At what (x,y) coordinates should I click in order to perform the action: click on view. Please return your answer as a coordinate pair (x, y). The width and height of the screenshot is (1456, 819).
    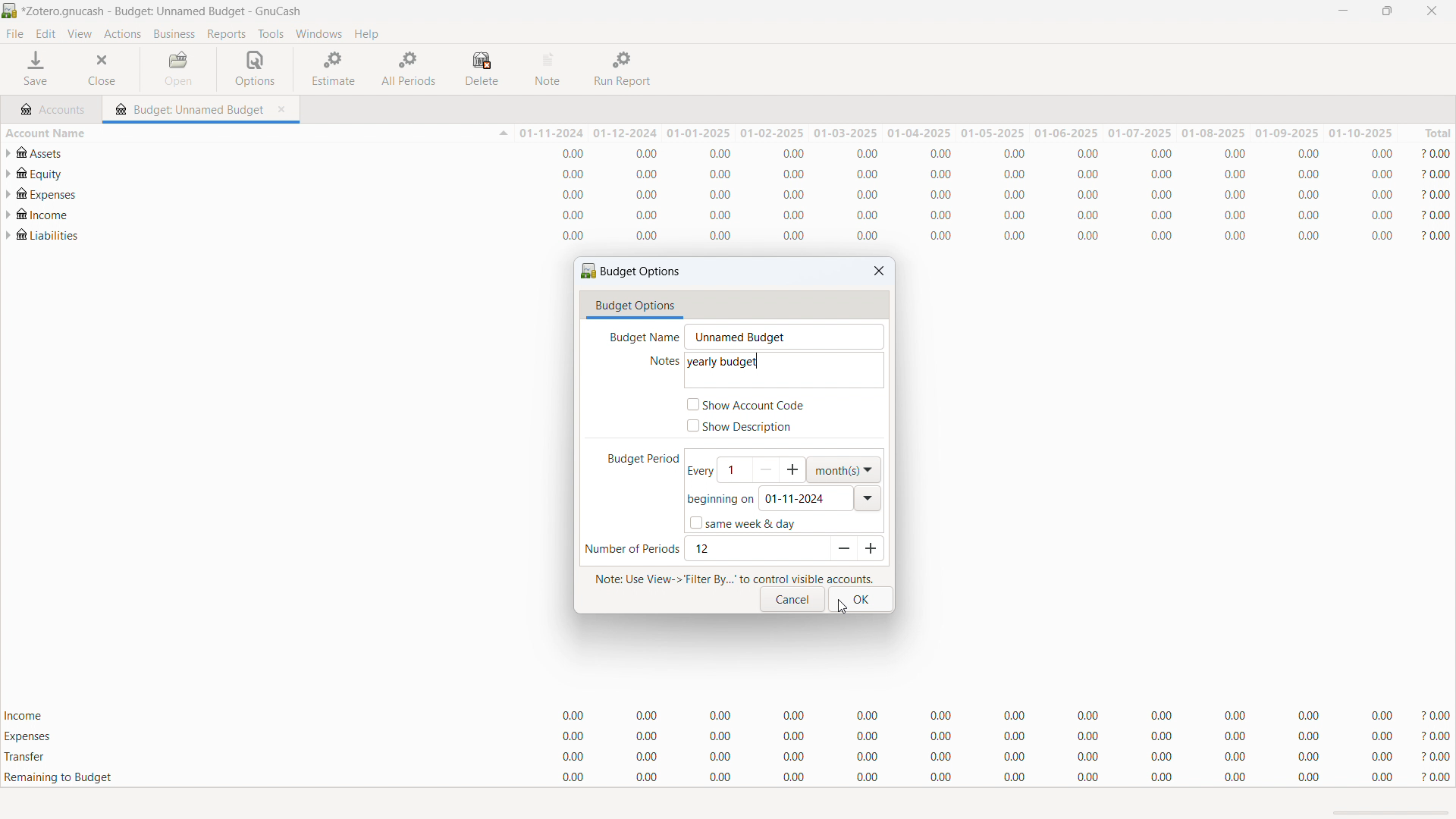
    Looking at the image, I should click on (79, 34).